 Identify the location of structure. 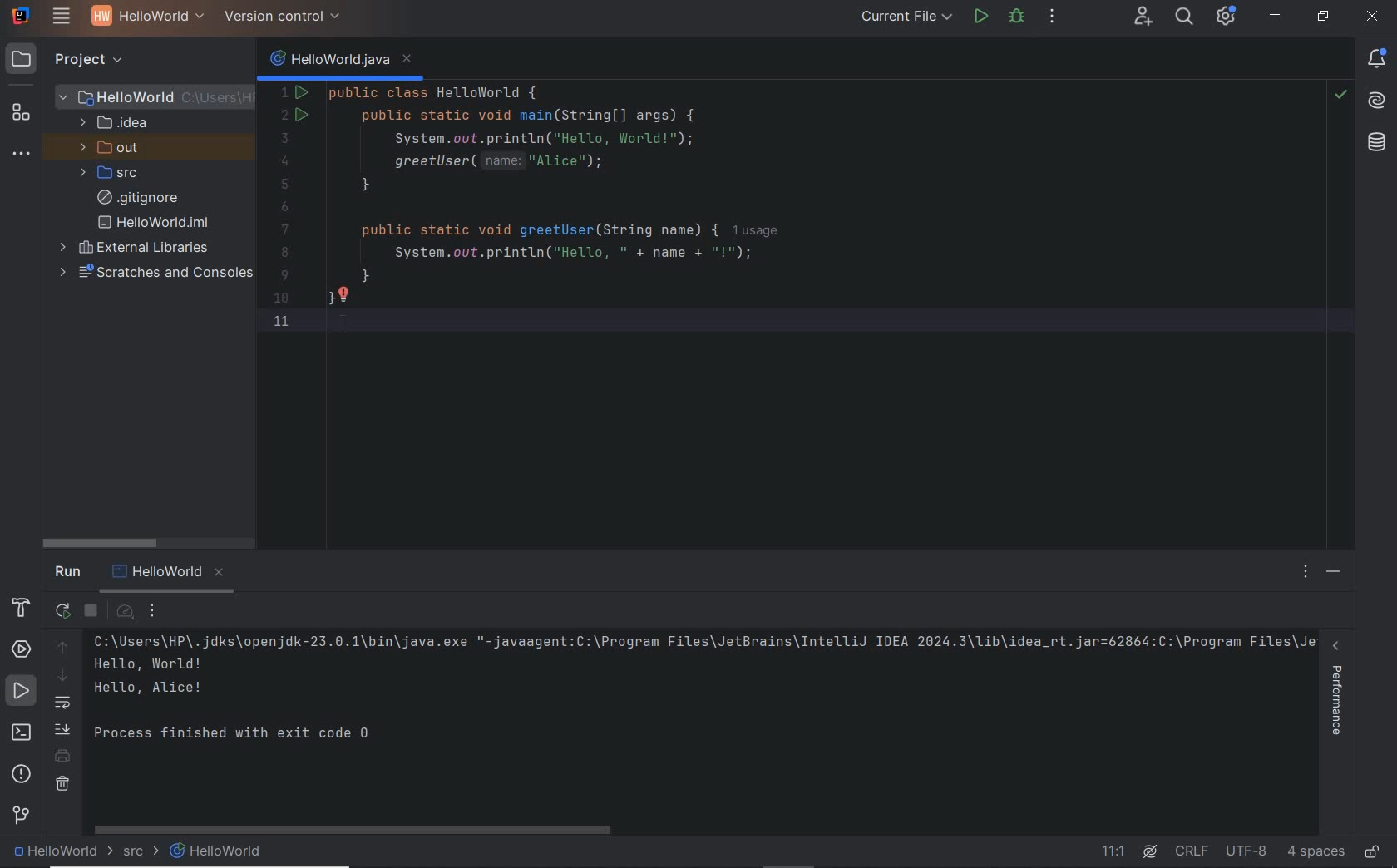
(20, 116).